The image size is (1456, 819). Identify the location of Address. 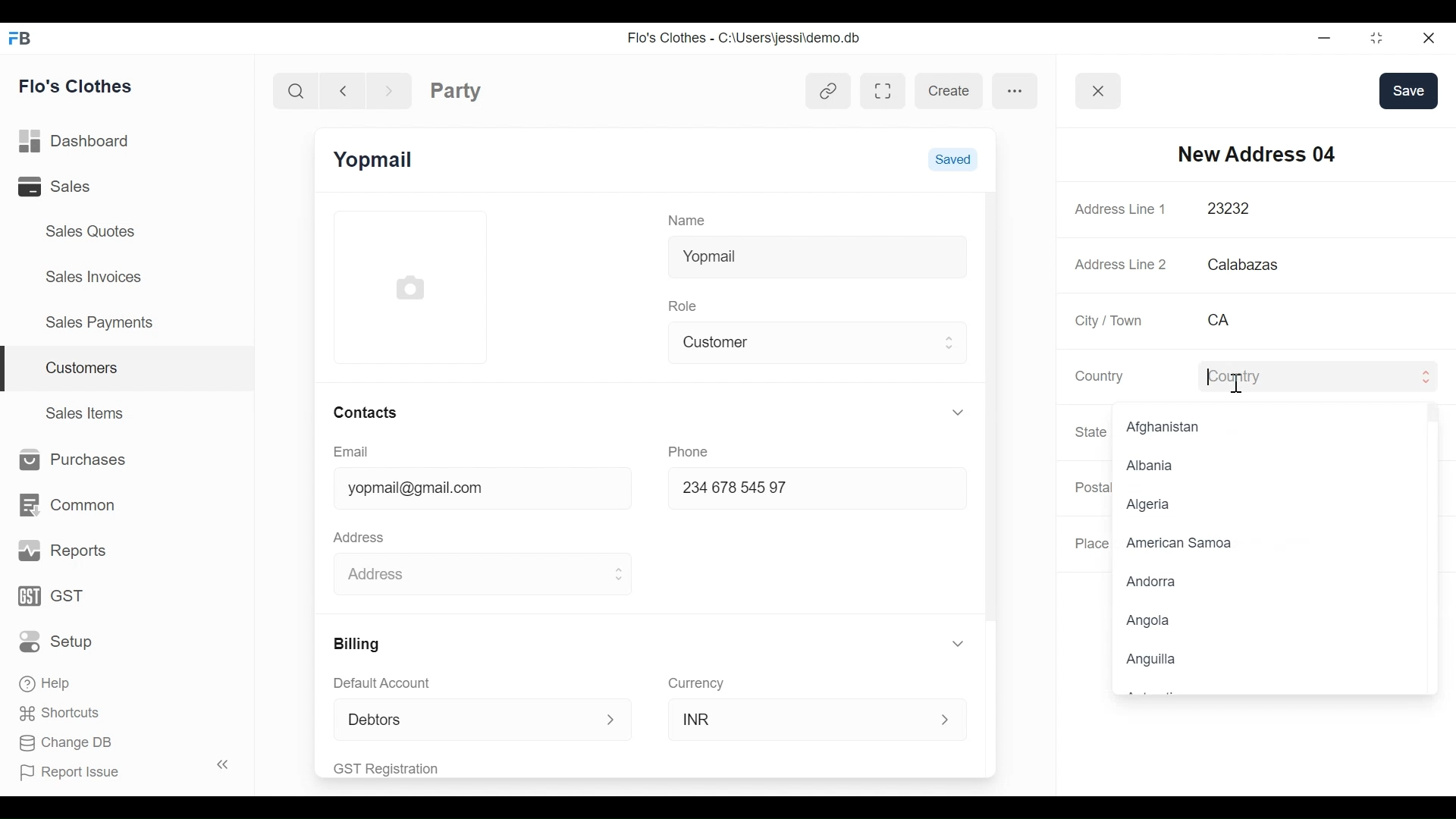
(362, 535).